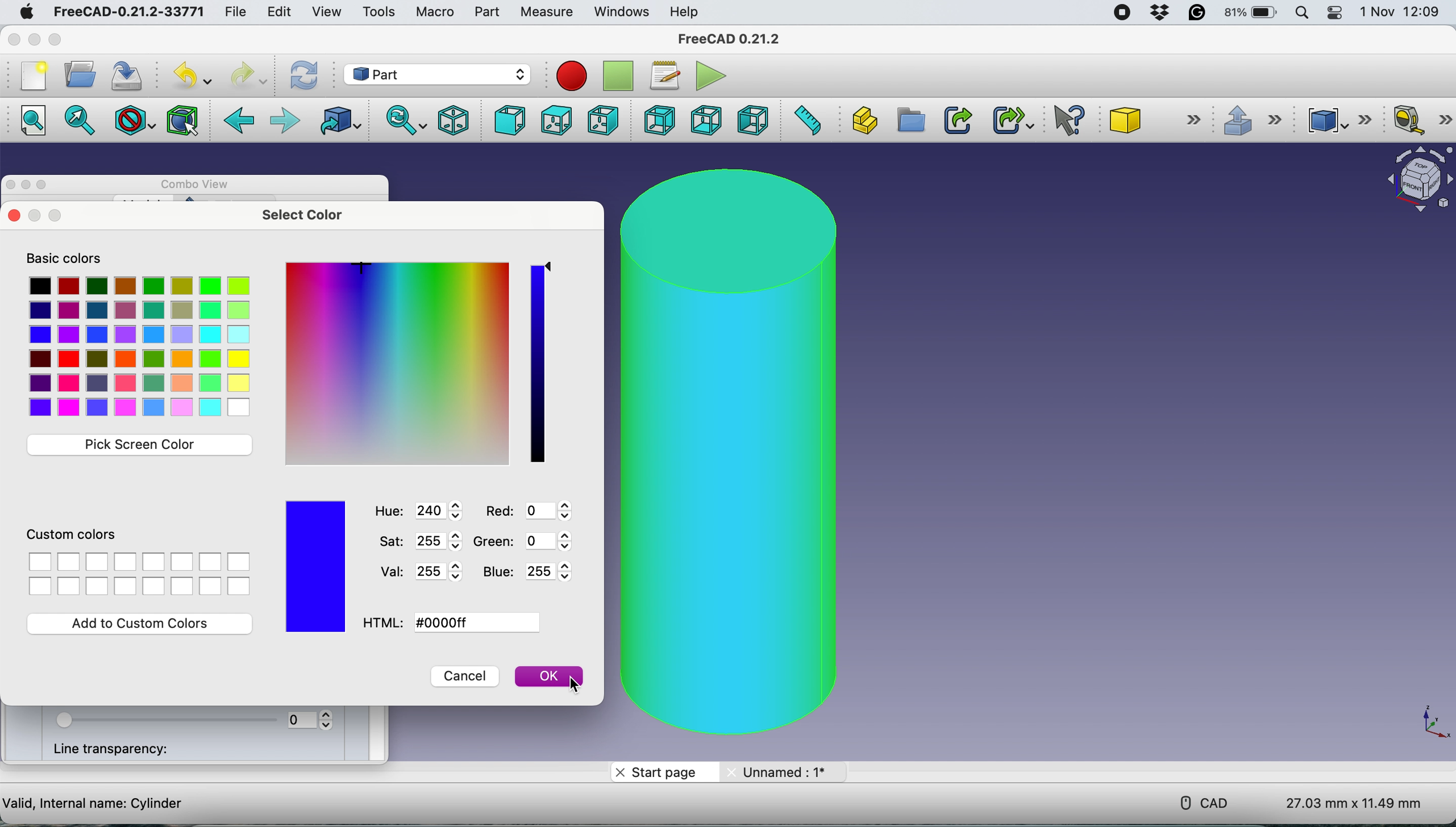 This screenshot has height=827, width=1456. What do you see at coordinates (134, 122) in the screenshot?
I see `draw style` at bounding box center [134, 122].